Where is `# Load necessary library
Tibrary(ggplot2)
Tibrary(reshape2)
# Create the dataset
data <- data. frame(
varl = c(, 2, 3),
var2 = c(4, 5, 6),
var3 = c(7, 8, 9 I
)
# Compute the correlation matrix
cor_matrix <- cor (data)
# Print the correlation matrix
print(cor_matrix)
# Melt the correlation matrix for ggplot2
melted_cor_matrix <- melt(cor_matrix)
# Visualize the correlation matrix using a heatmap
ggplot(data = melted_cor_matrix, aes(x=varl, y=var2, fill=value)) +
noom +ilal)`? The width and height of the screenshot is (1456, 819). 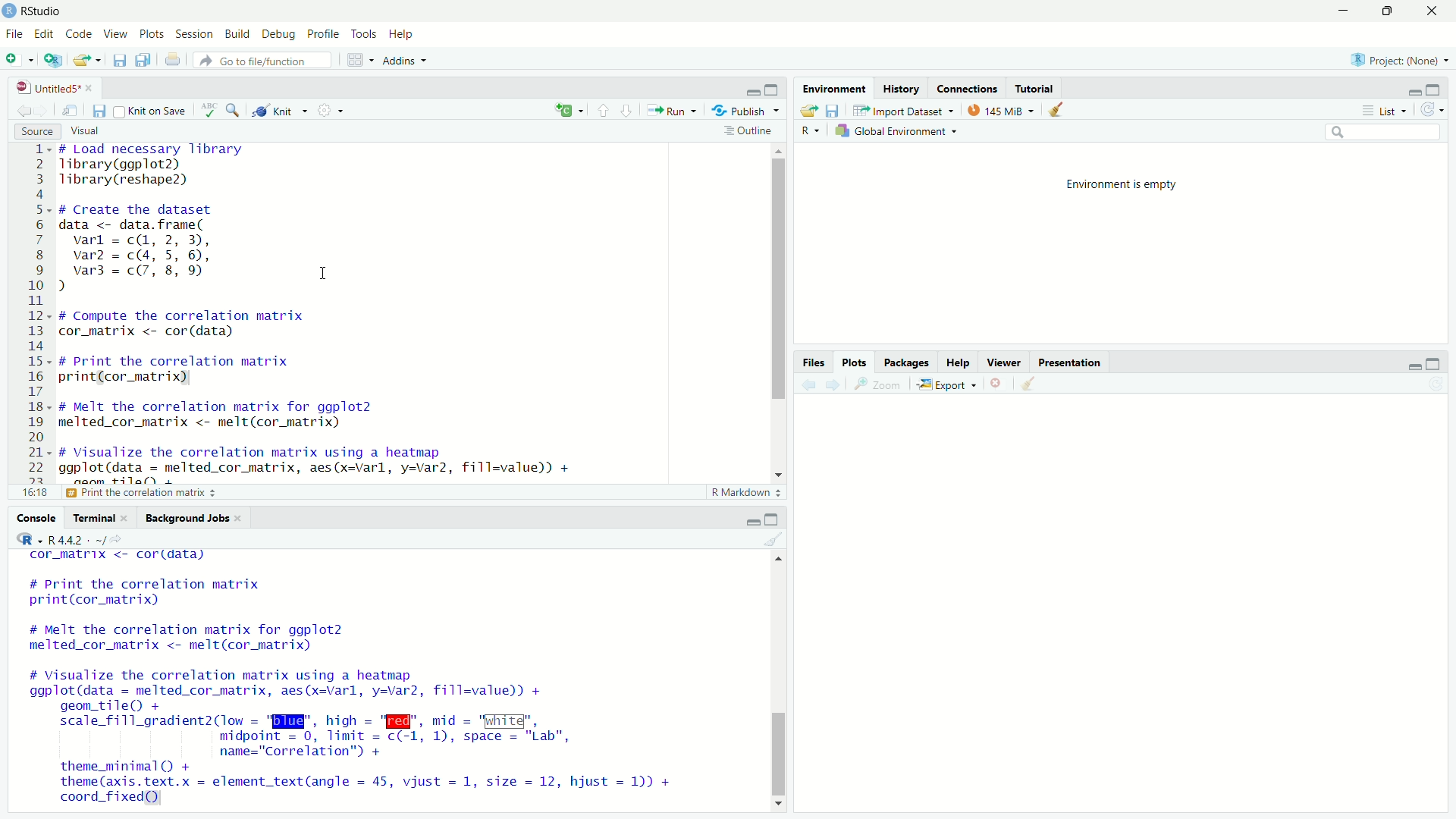
# Load necessary library
Tibrary(ggplot2)
Tibrary(reshape2)
# Create the dataset
data <- data. frame(
varl = c(, 2, 3),
var2 = c(4, 5, 6),
var3 = c(7, 8, 9 I
)
# Compute the correlation matrix
cor_matrix <- cor (data)
# Print the correlation matrix
print(cor_matrix)
# Melt the correlation matrix for ggplot2
melted_cor_matrix <- melt(cor_matrix)
# Visualize the correlation matrix using a heatmap
ggplot(data = melted_cor_matrix, aes(x=varl, y=var2, fill=value)) +
noom +ilal) is located at coordinates (362, 315).